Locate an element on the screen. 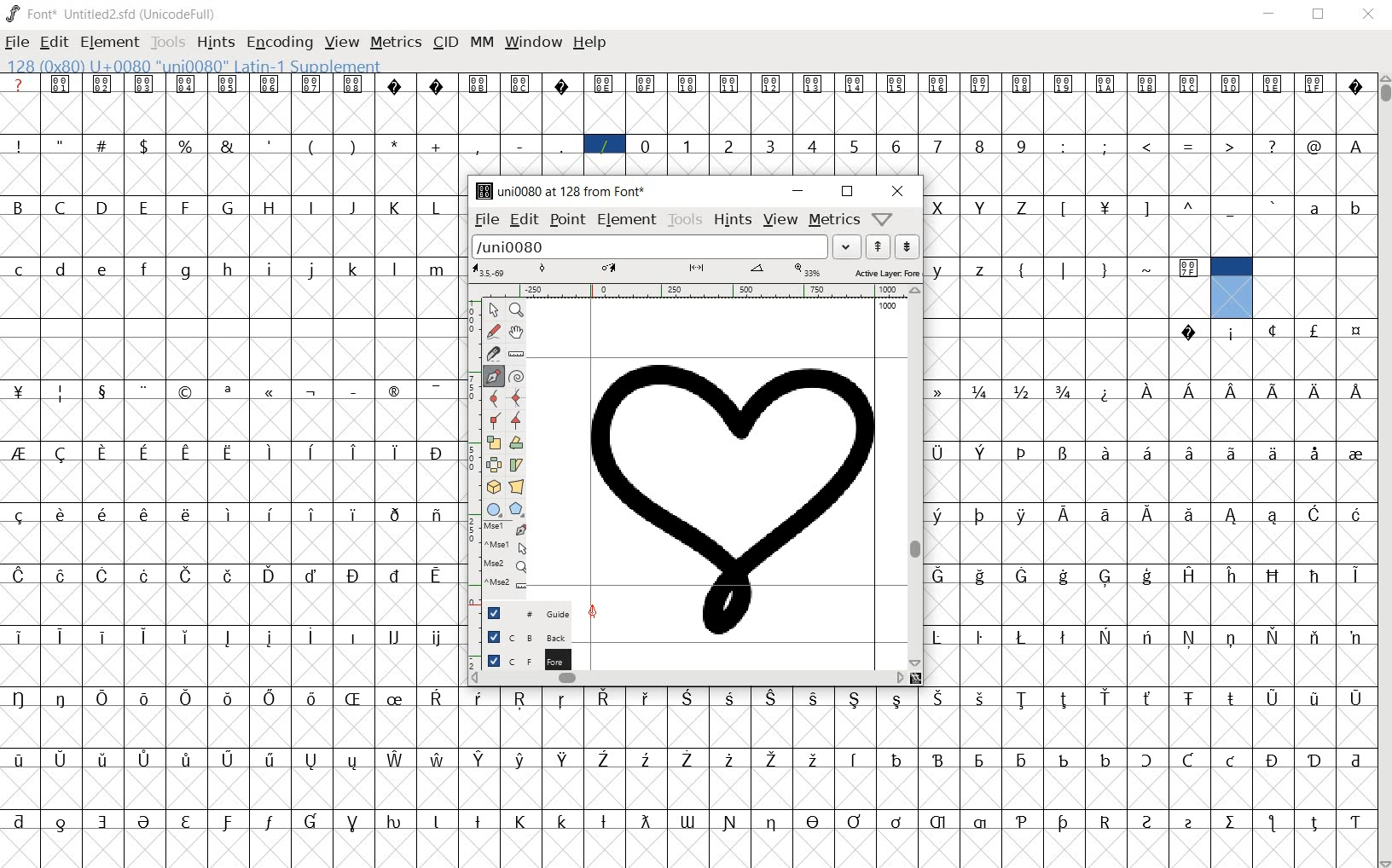 The width and height of the screenshot is (1392, 868). glyph is located at coordinates (227, 146).